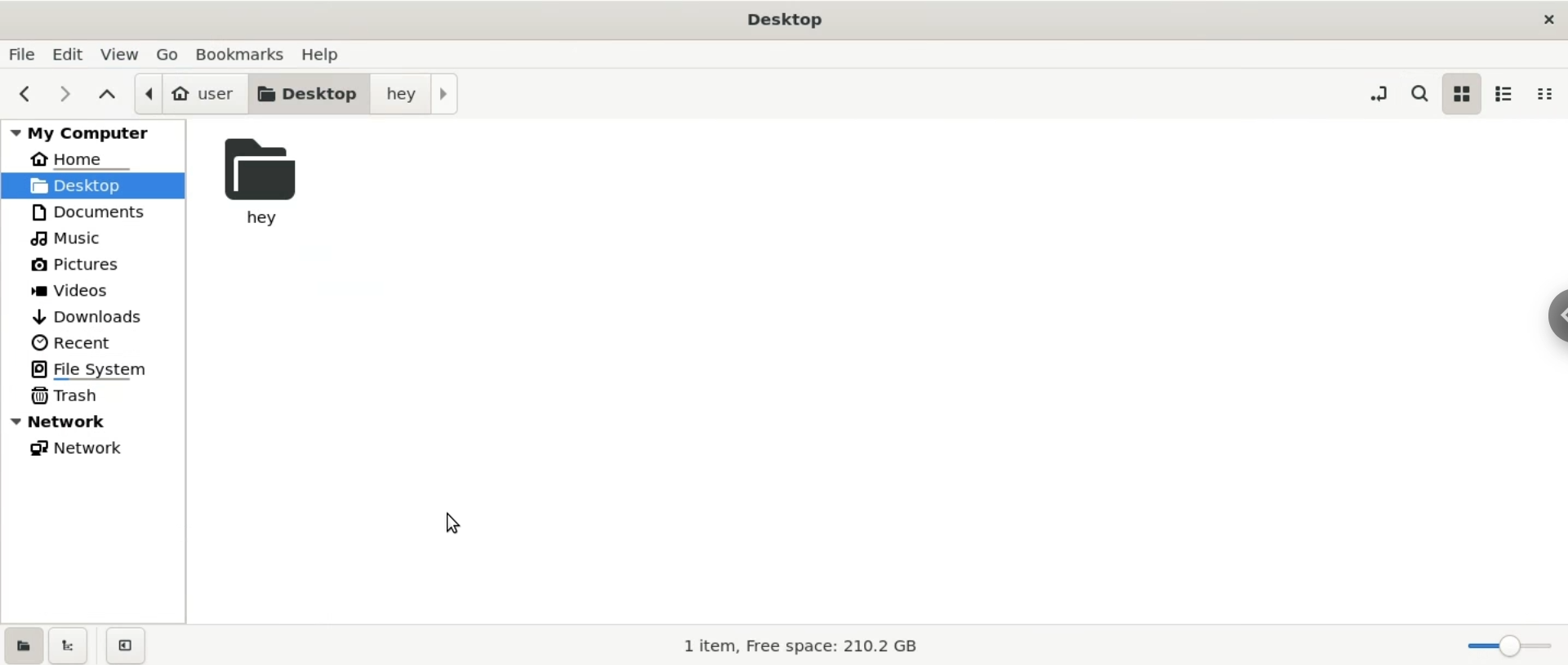  I want to click on help, so click(331, 53).